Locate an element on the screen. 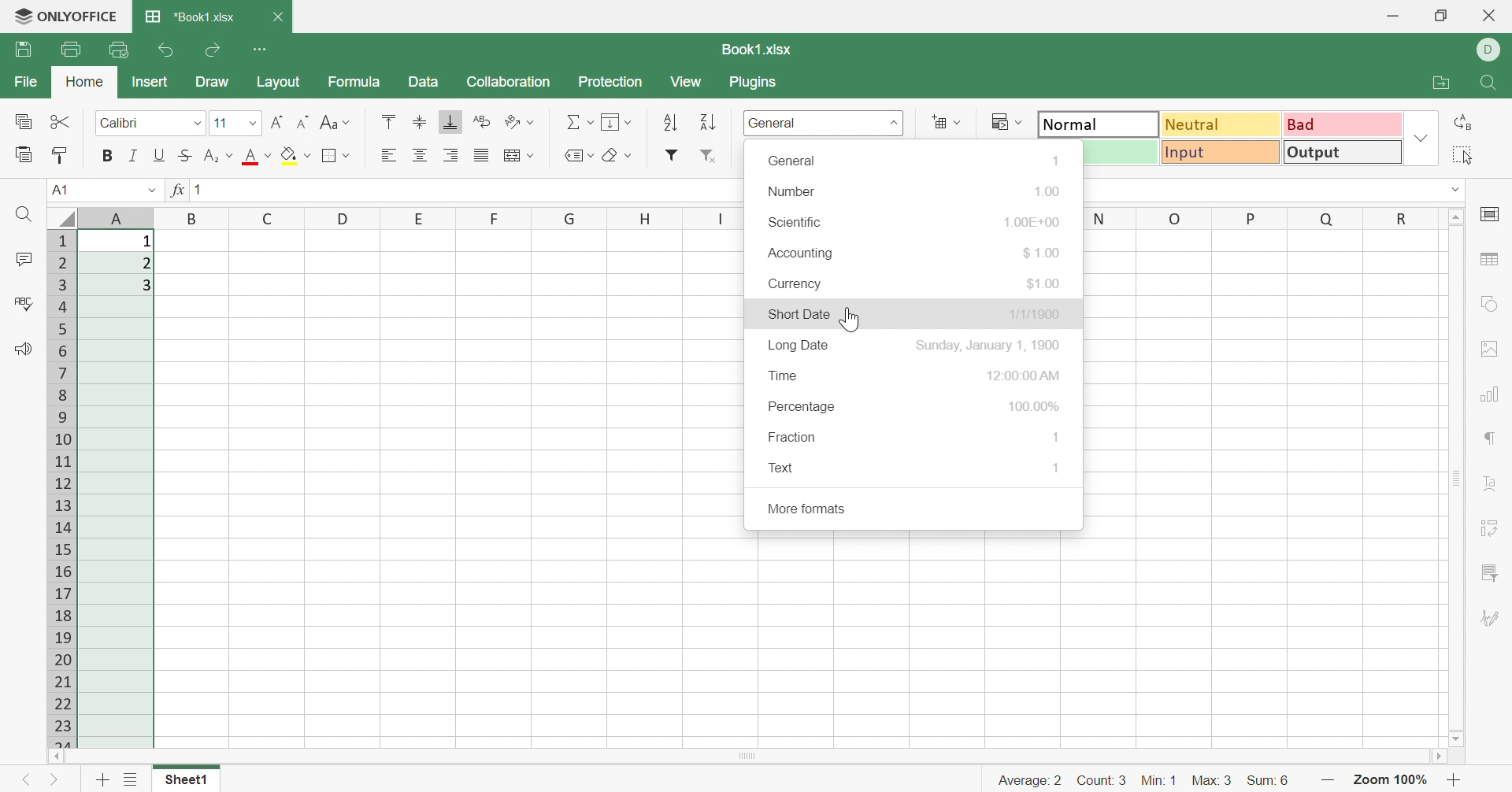 The height and width of the screenshot is (792, 1512). File is located at coordinates (24, 82).